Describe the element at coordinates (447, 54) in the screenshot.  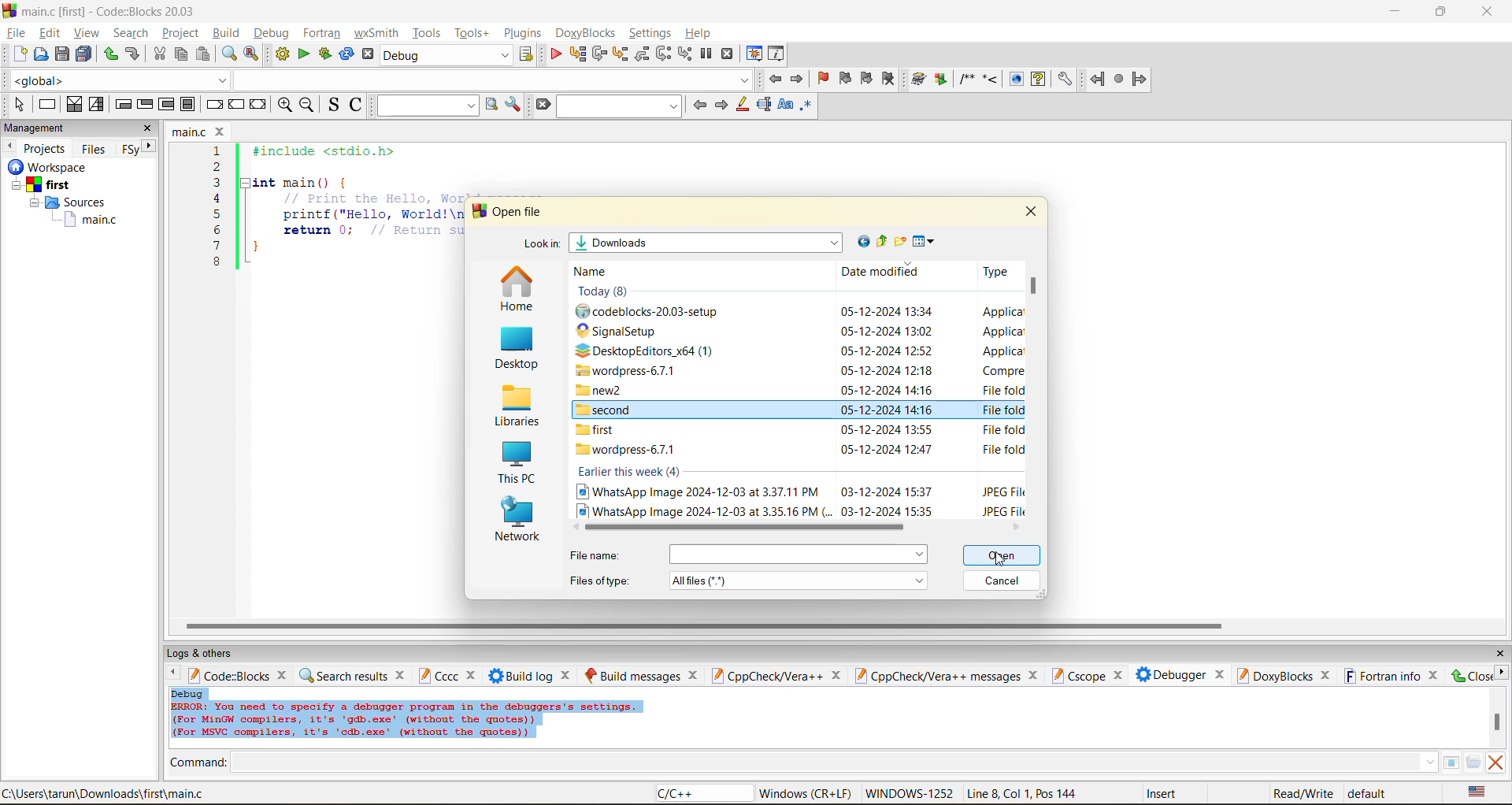
I see `build target` at that location.